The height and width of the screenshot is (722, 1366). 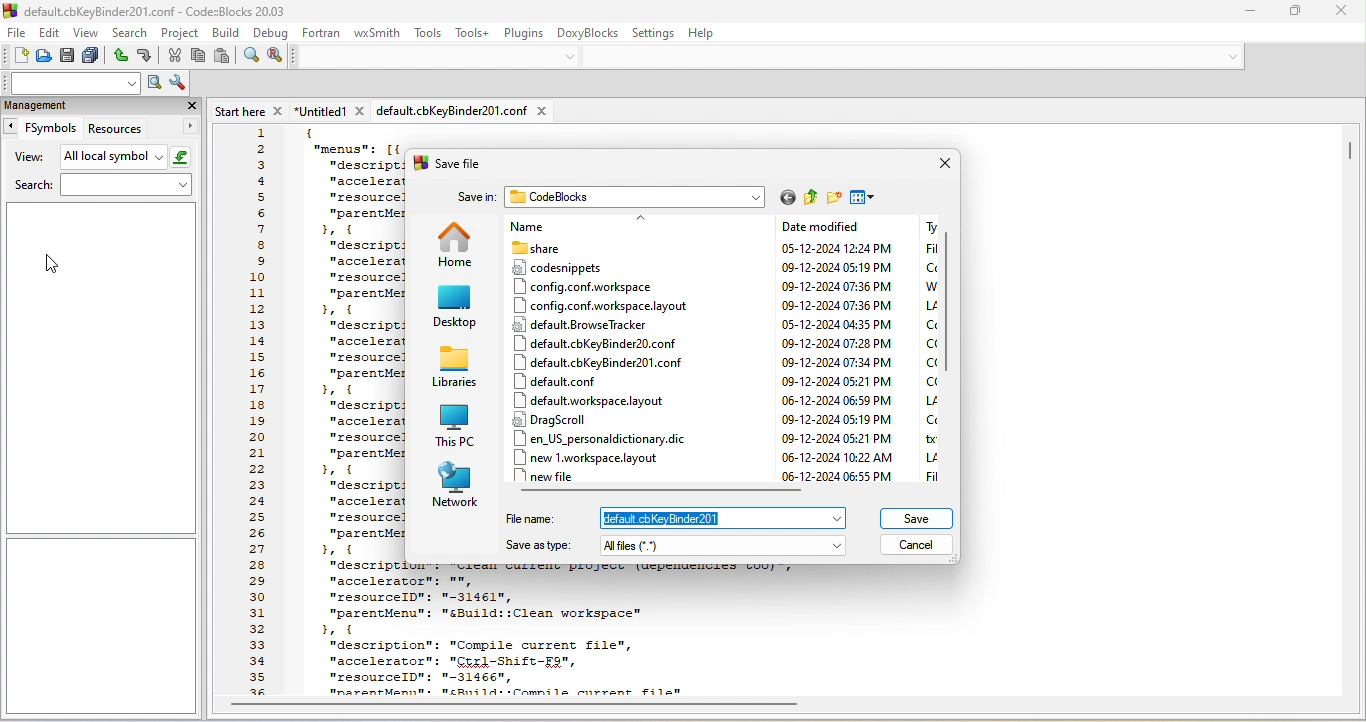 I want to click on save in, so click(x=474, y=198).